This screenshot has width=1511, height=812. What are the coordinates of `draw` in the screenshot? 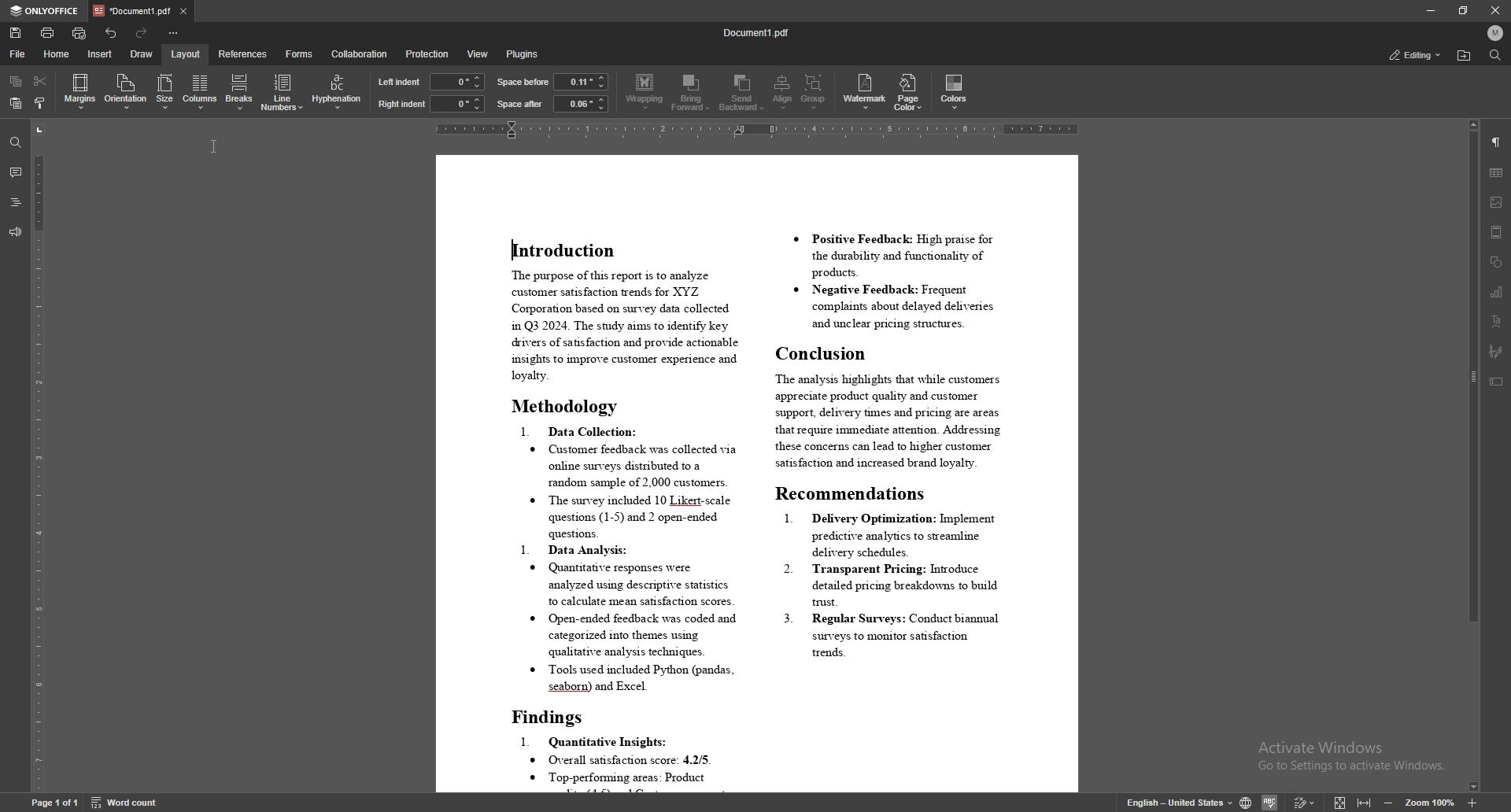 It's located at (143, 54).